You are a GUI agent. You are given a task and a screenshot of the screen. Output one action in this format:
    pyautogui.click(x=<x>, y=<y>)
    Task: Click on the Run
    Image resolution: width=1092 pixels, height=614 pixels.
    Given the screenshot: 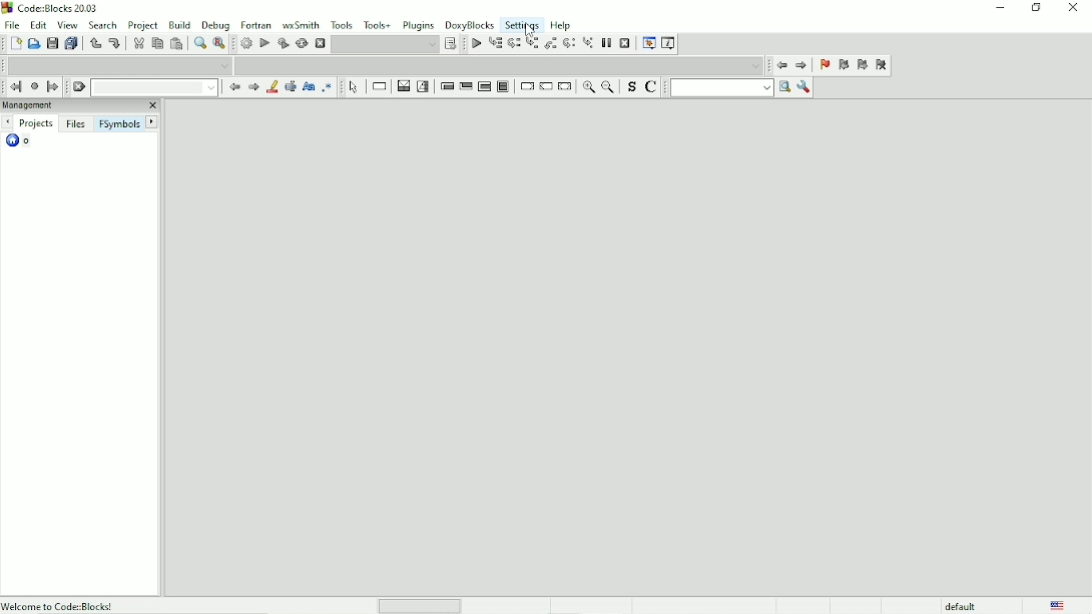 What is the action you would take?
    pyautogui.click(x=264, y=43)
    